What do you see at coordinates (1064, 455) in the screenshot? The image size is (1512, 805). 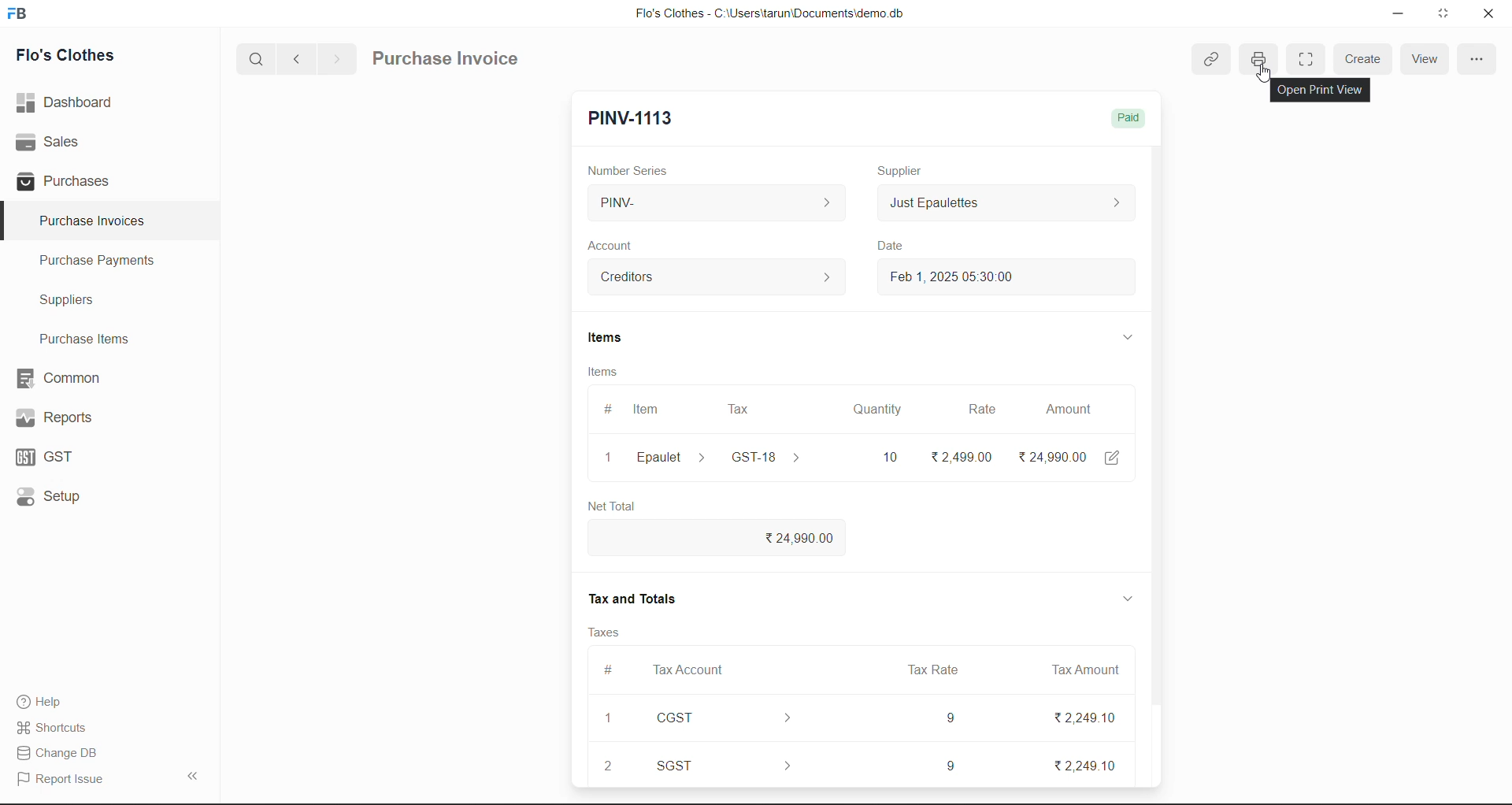 I see `₹24,990.00` at bounding box center [1064, 455].